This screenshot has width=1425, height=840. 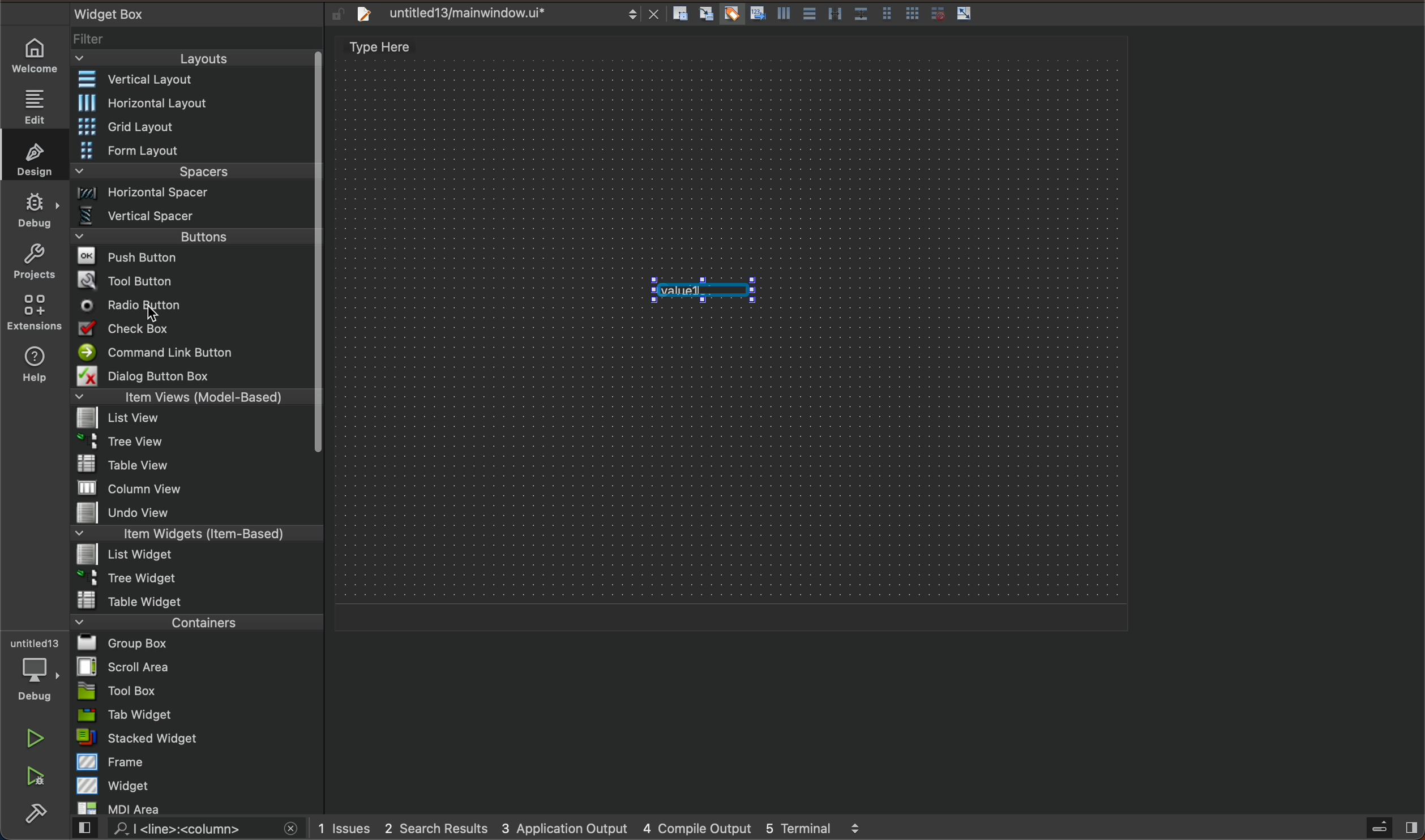 What do you see at coordinates (192, 331) in the screenshot?
I see `check box` at bounding box center [192, 331].